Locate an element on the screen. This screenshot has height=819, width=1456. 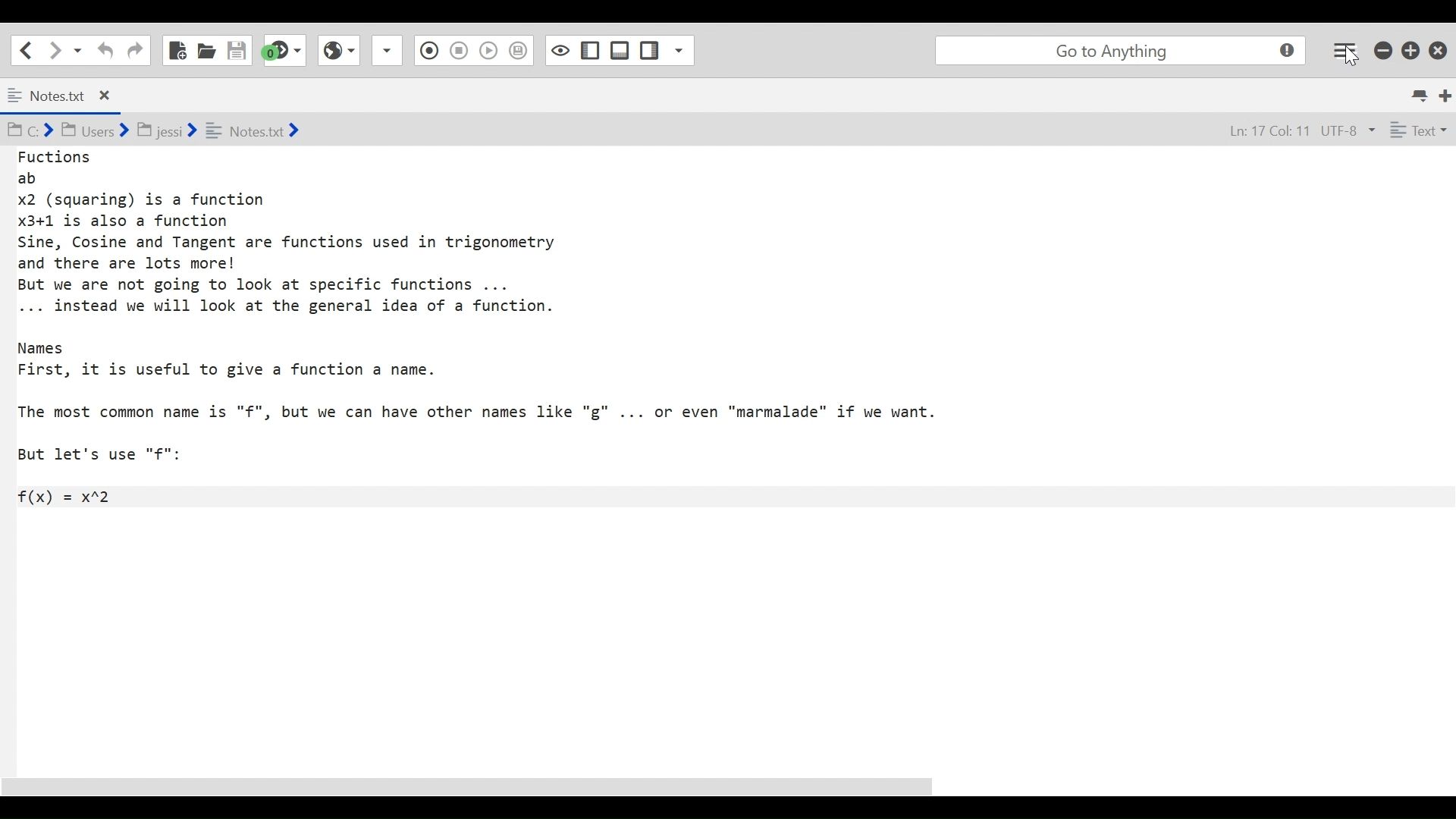
New File is located at coordinates (176, 50).